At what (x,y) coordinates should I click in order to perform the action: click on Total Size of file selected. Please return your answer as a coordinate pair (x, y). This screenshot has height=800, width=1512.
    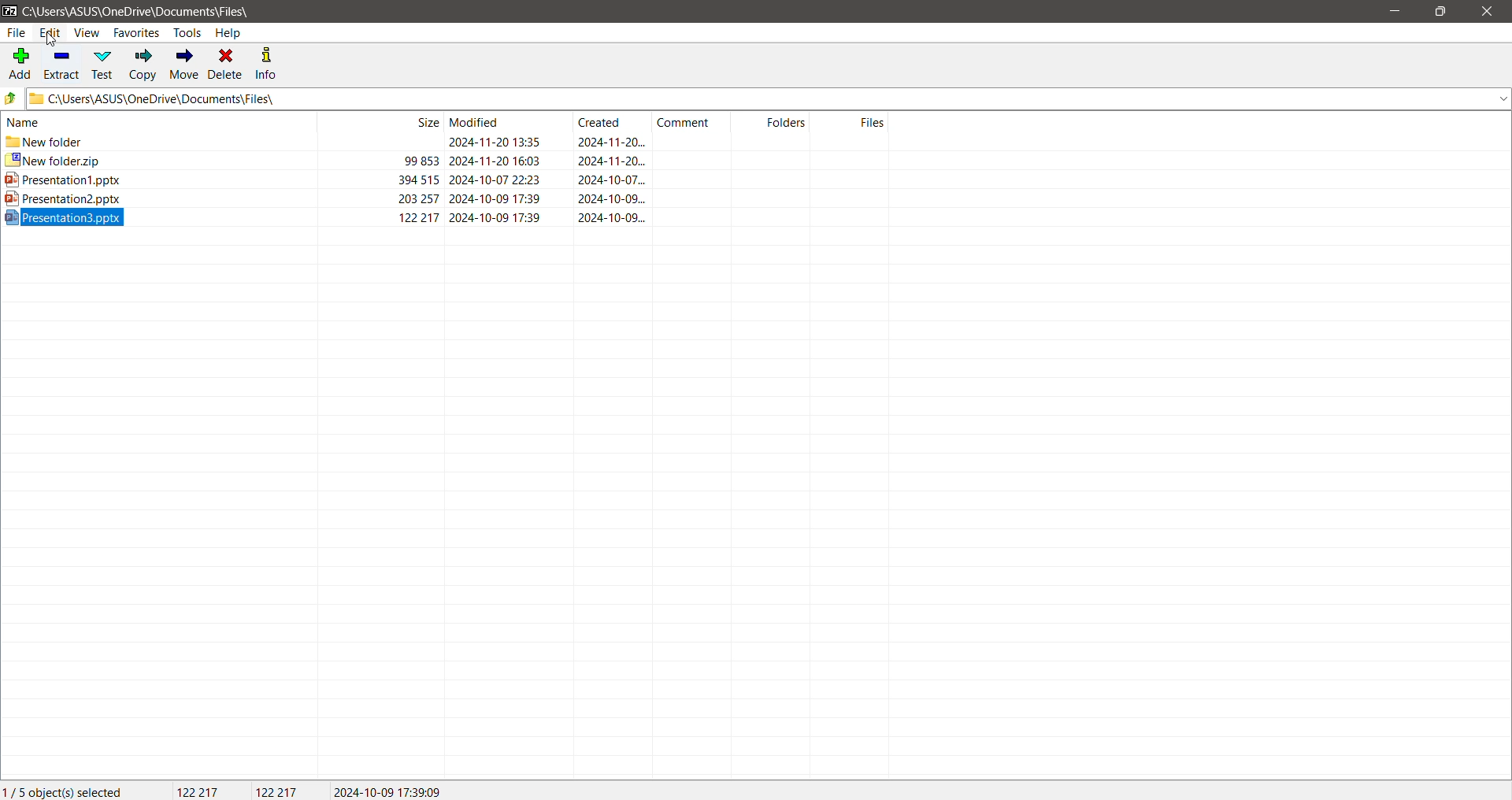
    Looking at the image, I should click on (190, 791).